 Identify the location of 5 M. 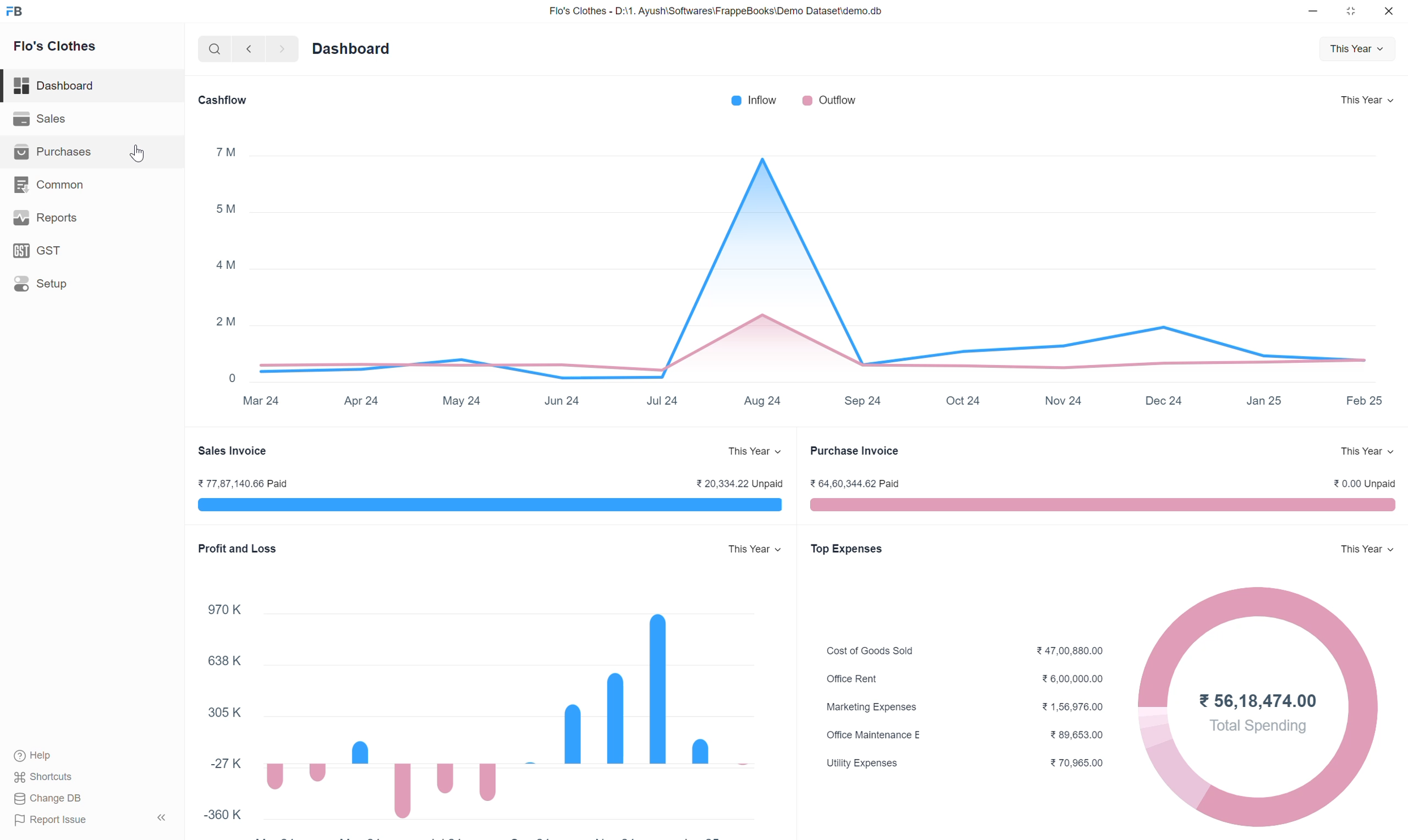
(225, 208).